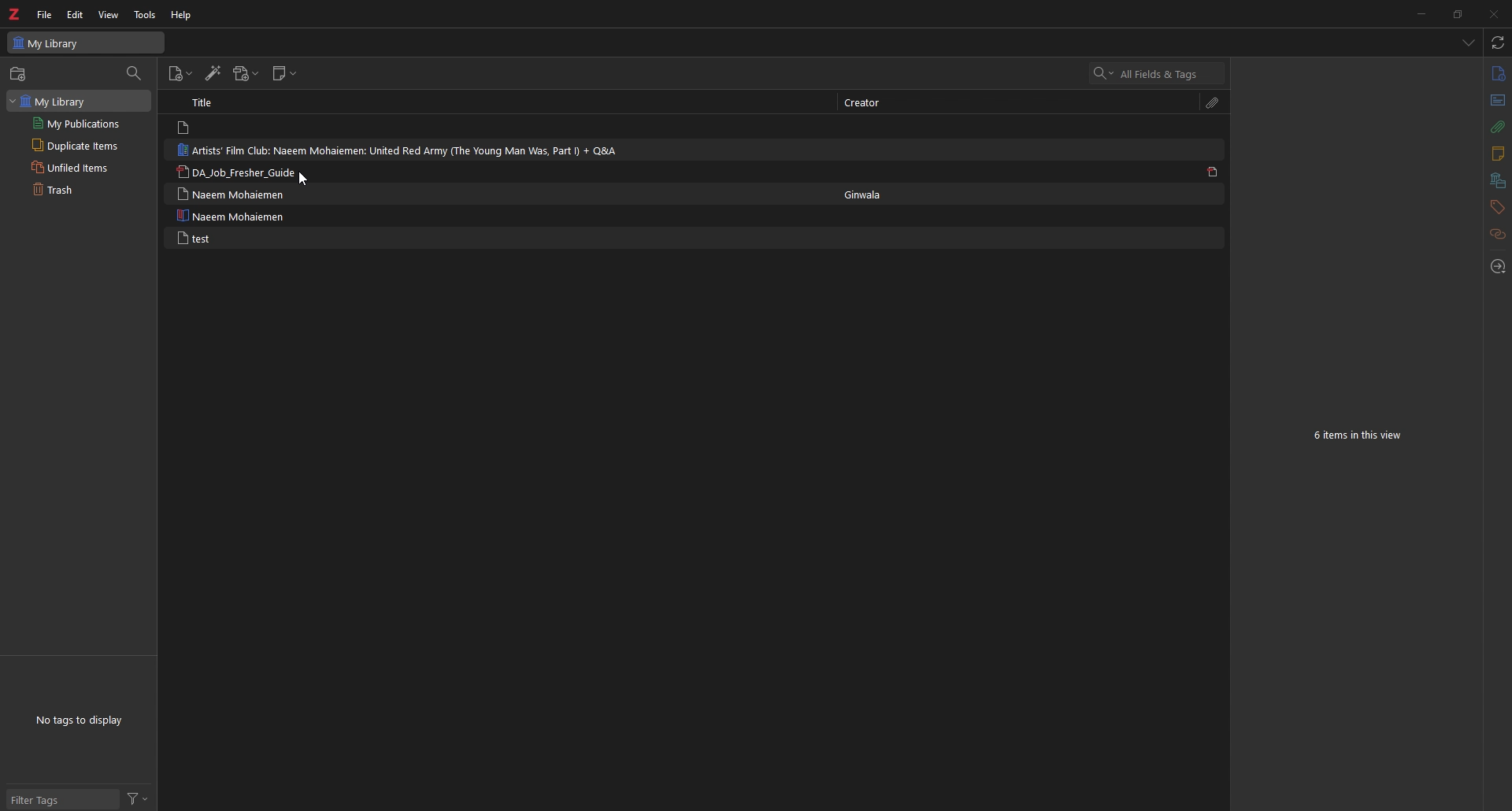  Describe the element at coordinates (80, 123) in the screenshot. I see `my publications` at that location.